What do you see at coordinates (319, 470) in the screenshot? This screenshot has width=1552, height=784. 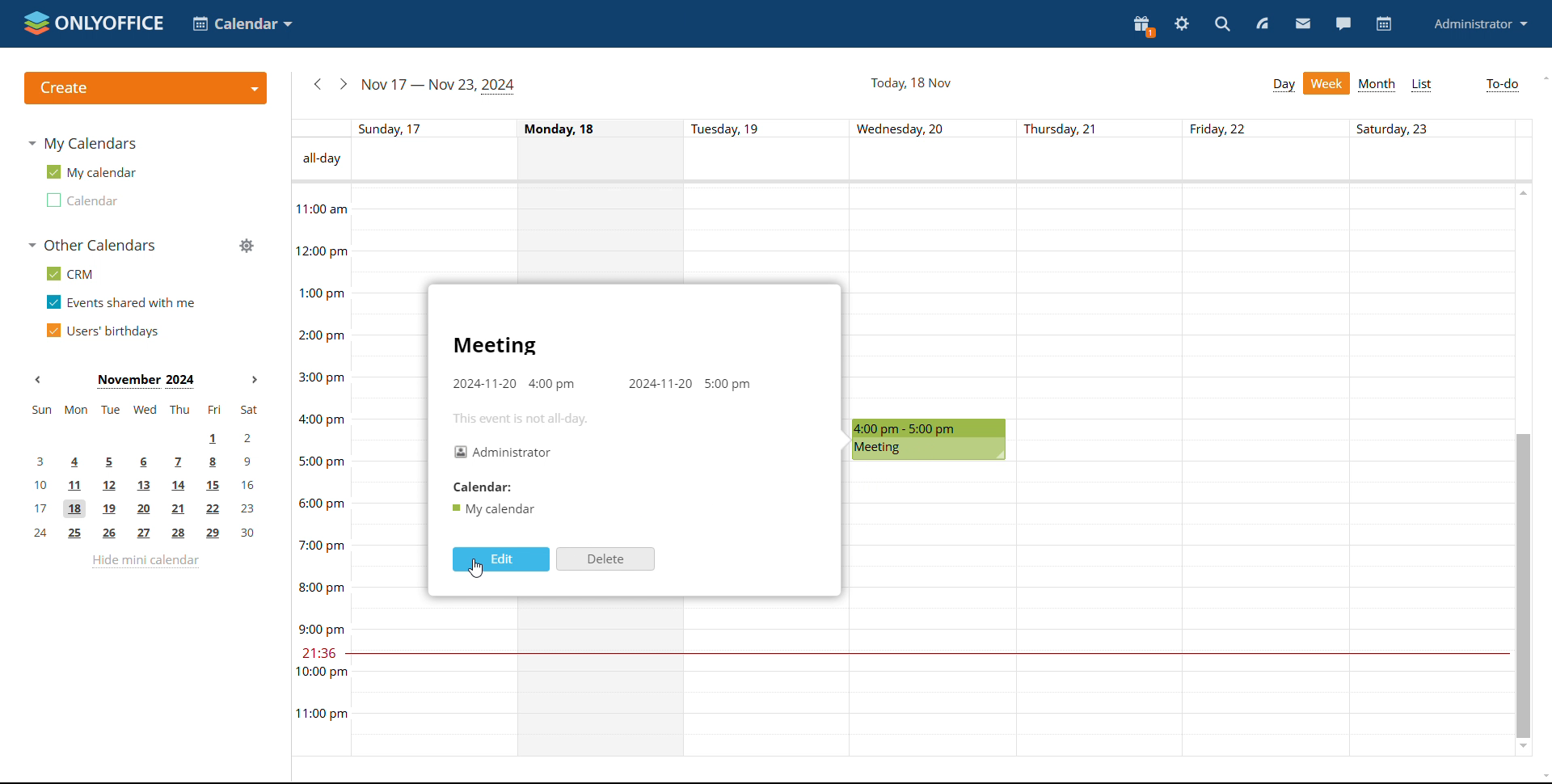 I see `time line` at bounding box center [319, 470].